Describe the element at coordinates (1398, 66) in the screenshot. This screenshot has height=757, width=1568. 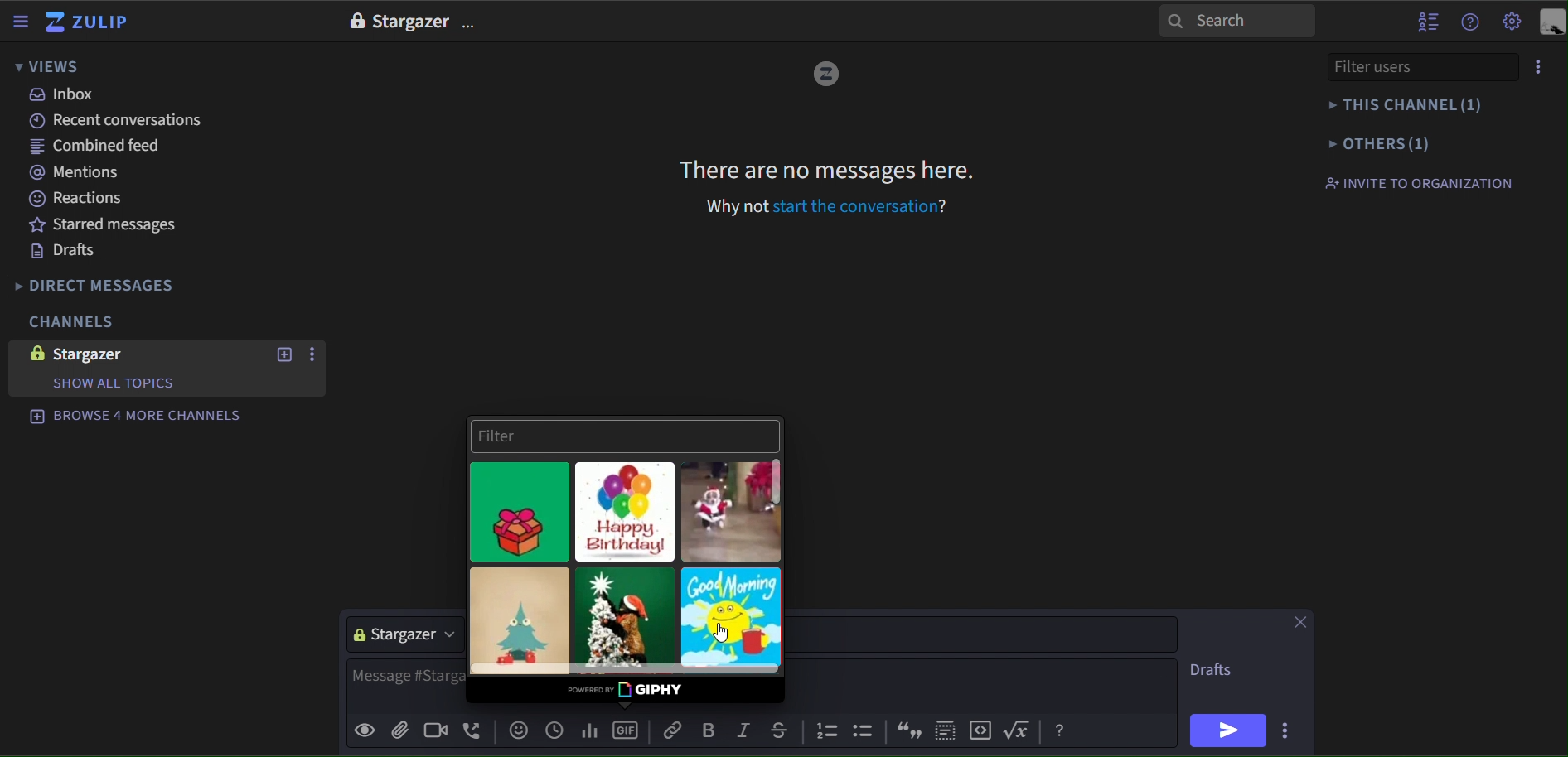
I see `File user` at that location.